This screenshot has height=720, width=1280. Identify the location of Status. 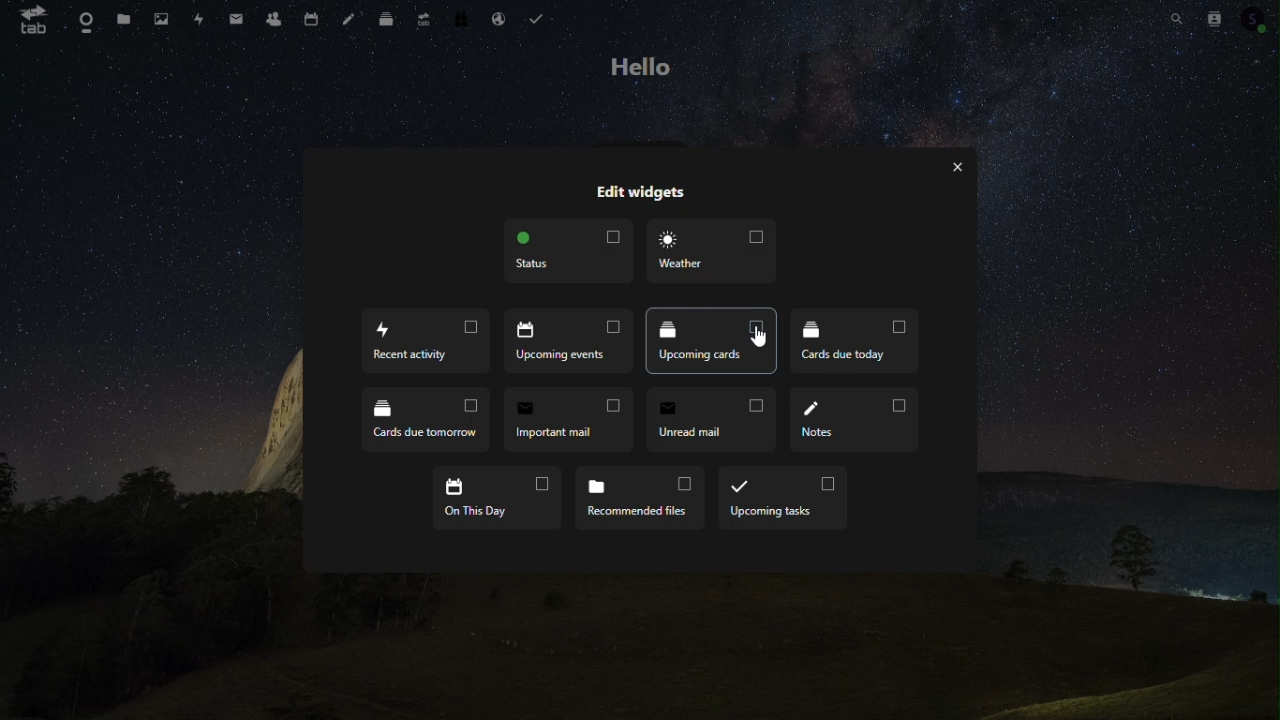
(566, 250).